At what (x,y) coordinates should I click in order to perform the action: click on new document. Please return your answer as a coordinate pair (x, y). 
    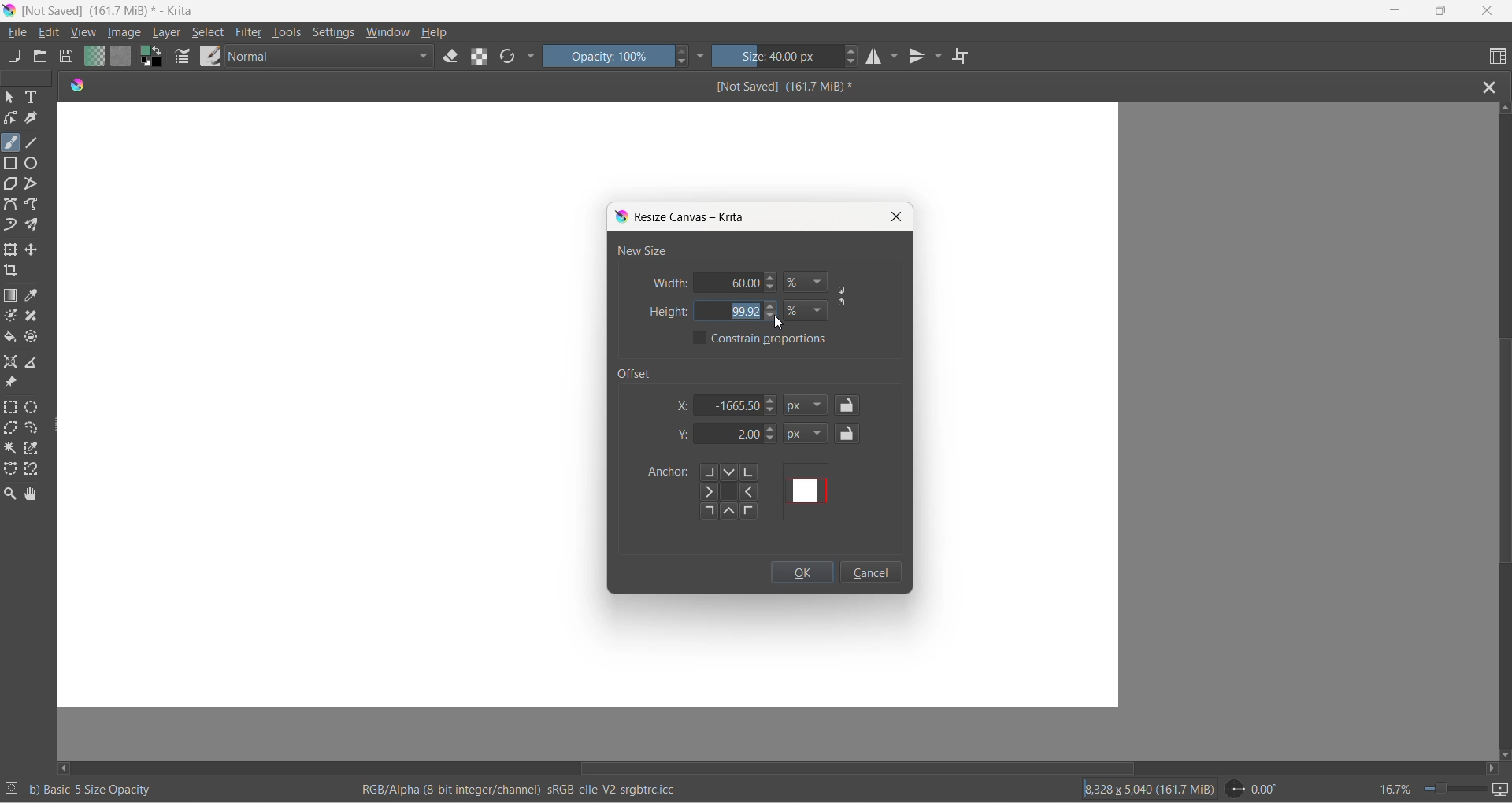
    Looking at the image, I should click on (16, 57).